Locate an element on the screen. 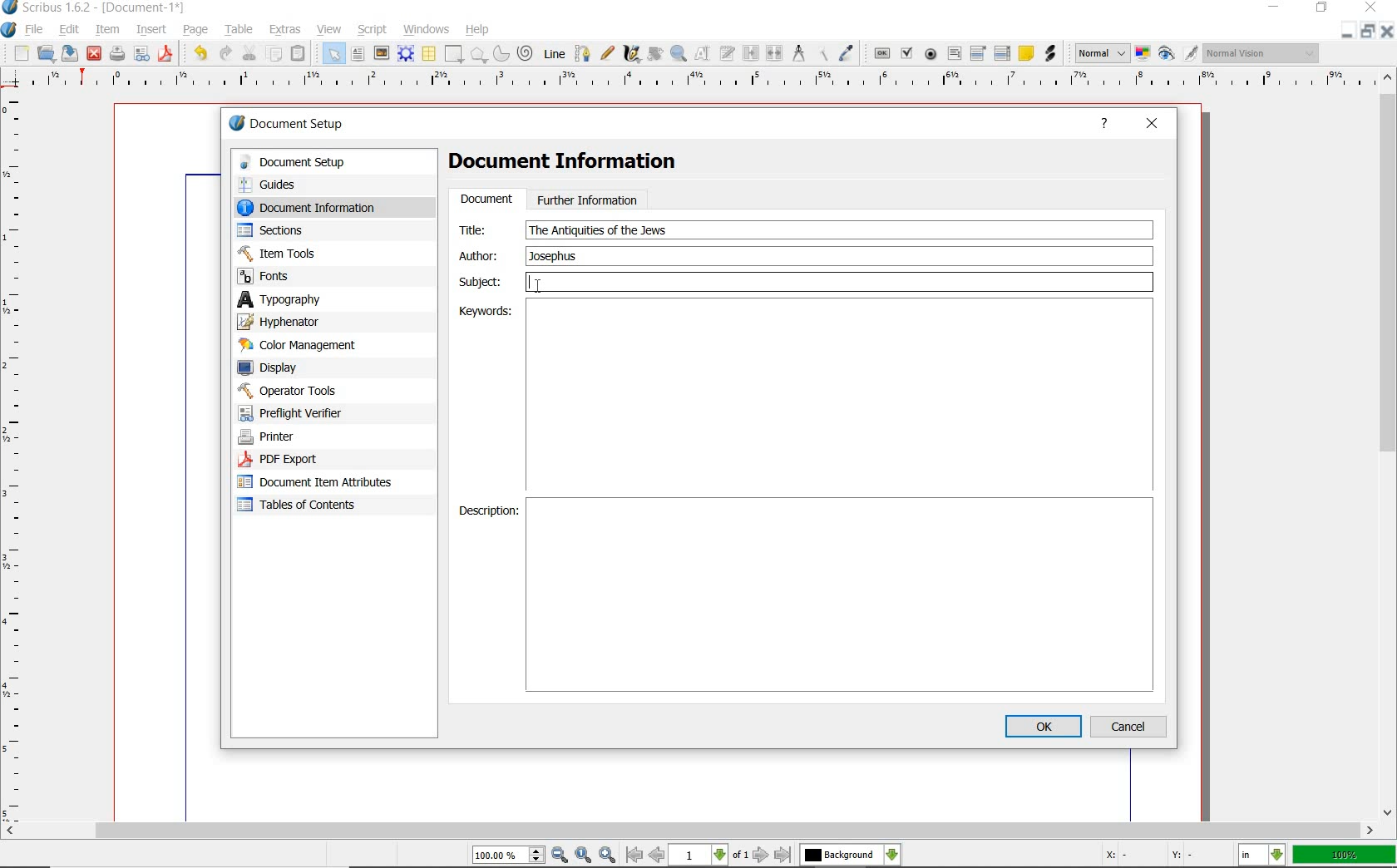  preview mode is located at coordinates (1179, 54).